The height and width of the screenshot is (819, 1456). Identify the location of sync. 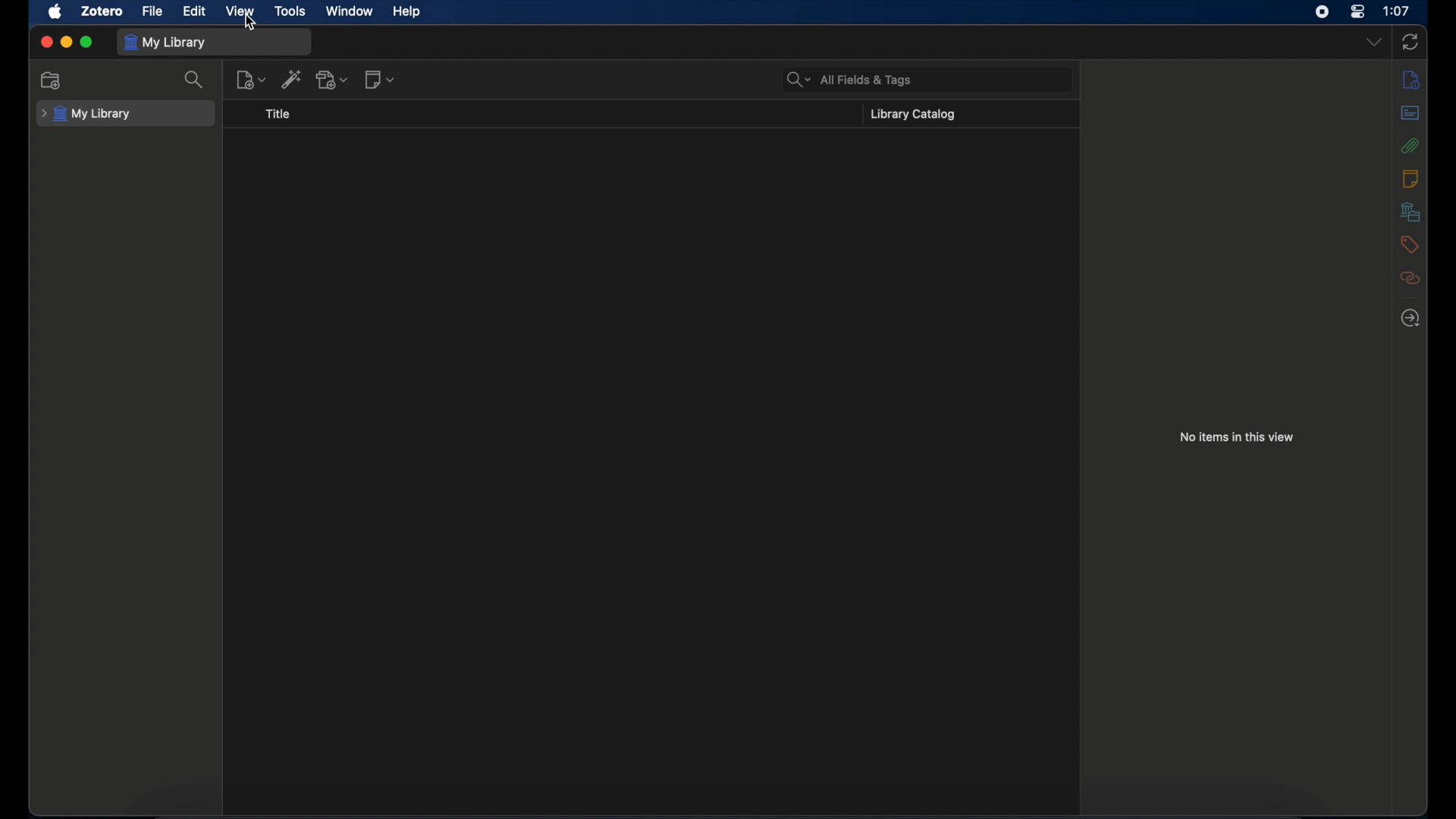
(1410, 42).